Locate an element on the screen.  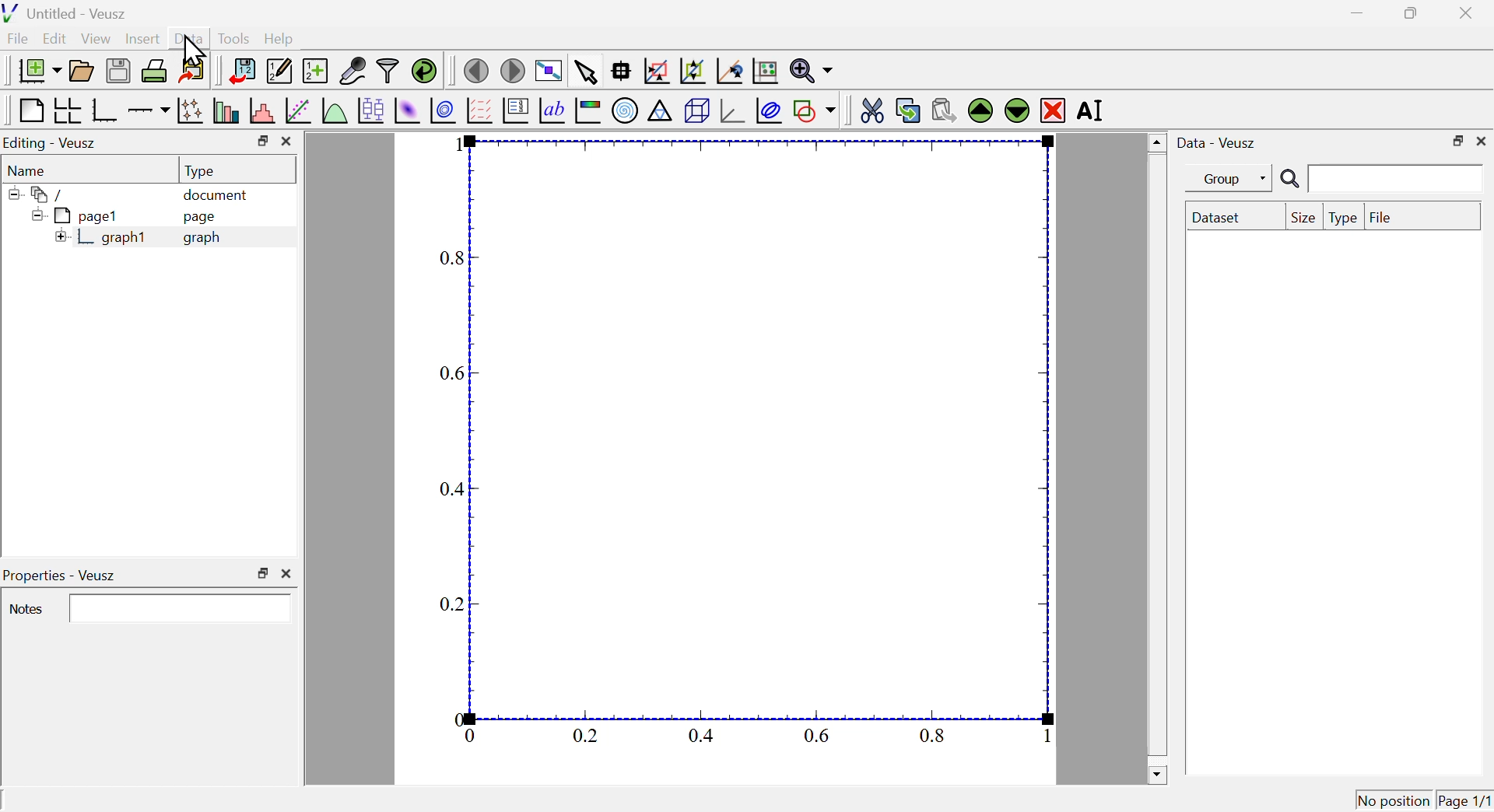
edit and enter new datasets is located at coordinates (278, 71).